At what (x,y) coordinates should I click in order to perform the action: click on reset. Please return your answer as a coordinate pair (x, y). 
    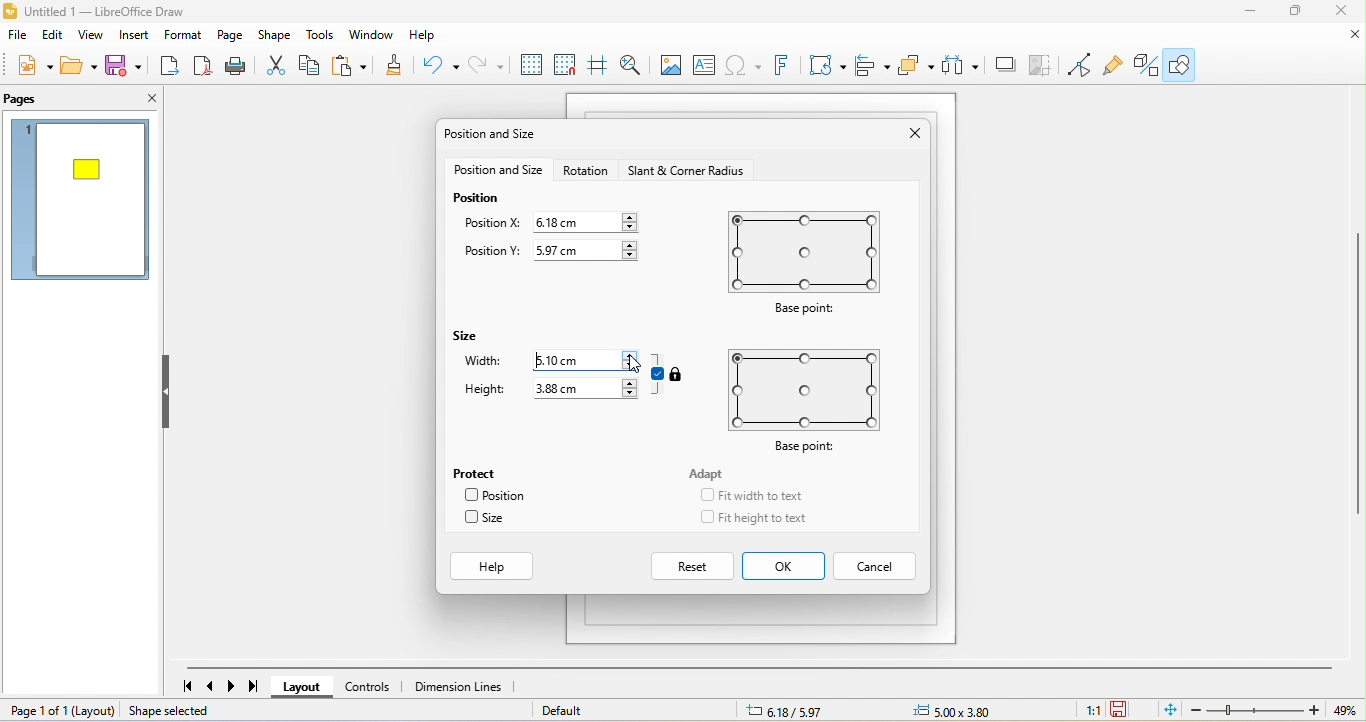
    Looking at the image, I should click on (692, 567).